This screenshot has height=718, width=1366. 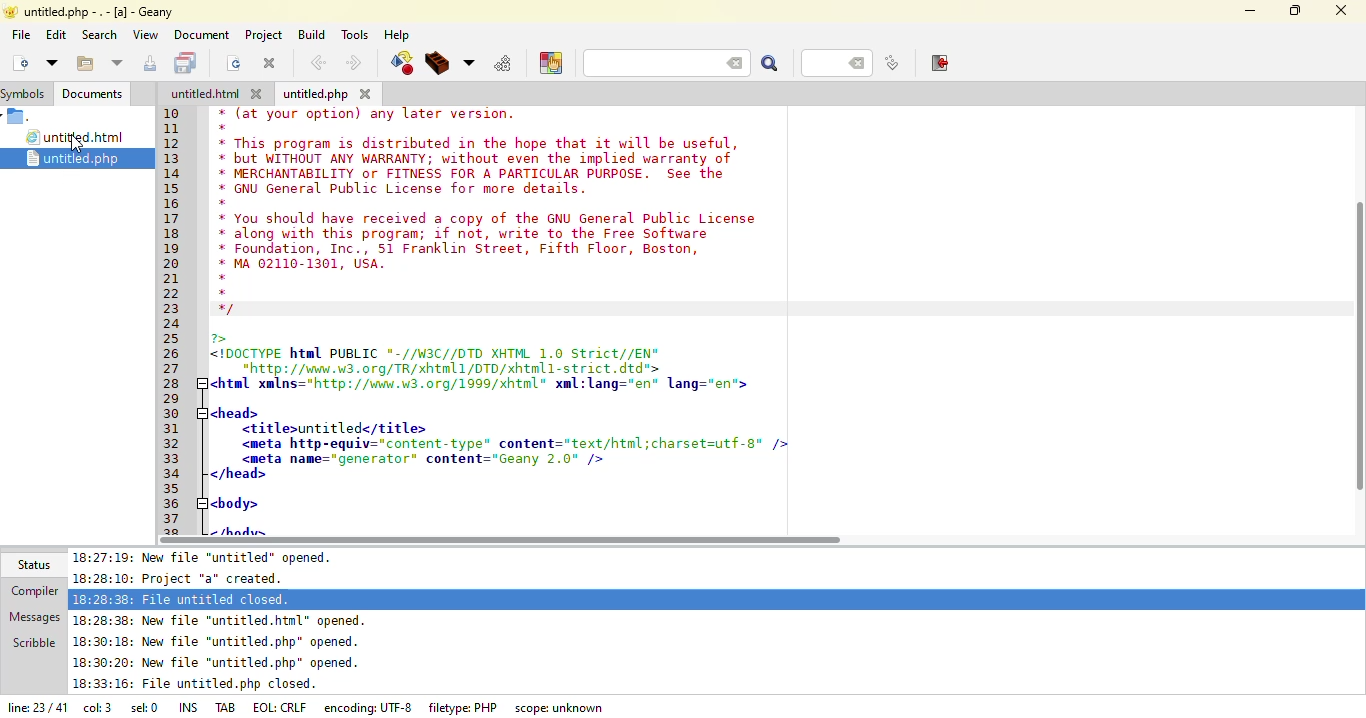 I want to click on status, so click(x=32, y=564).